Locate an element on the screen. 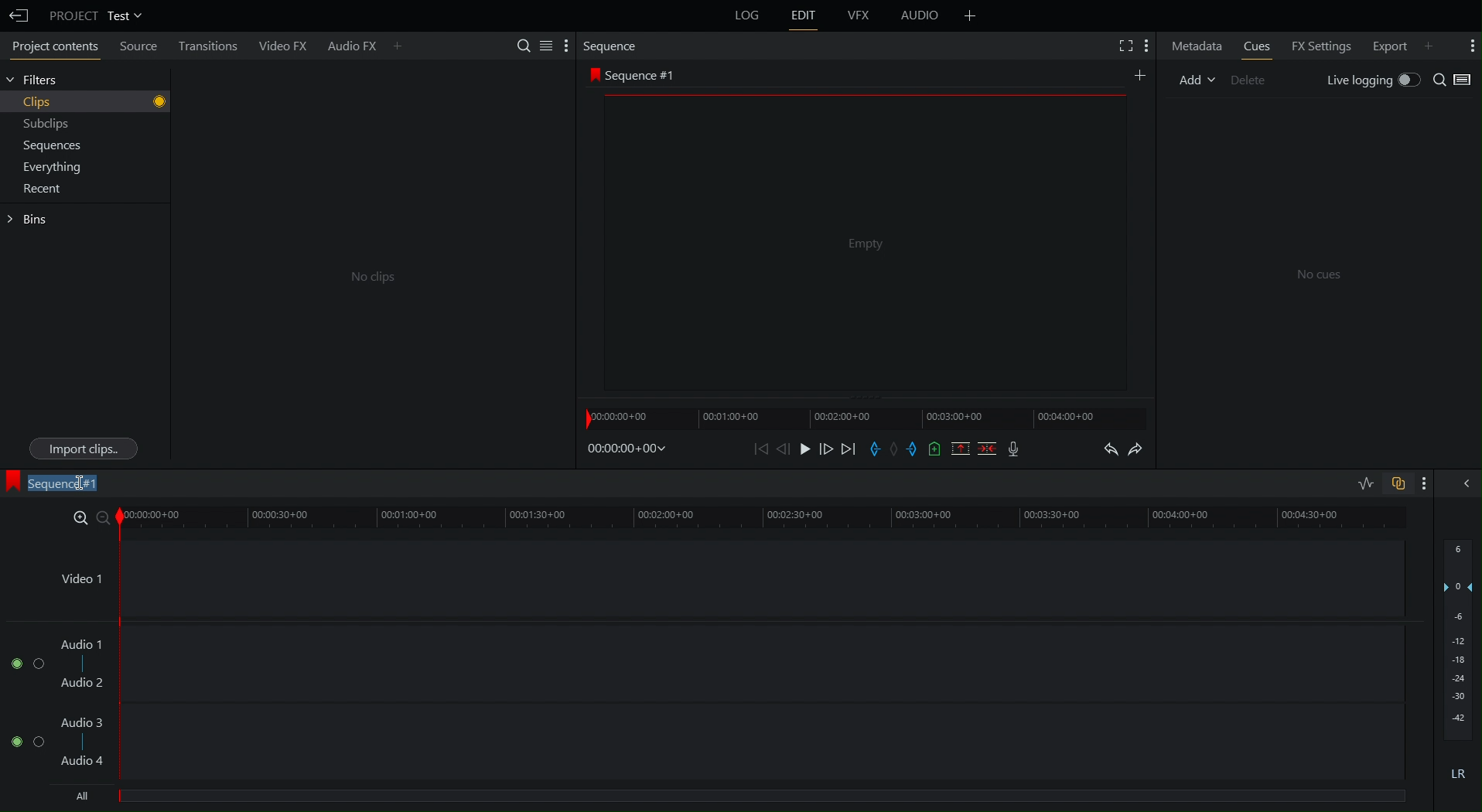  Audio FX is located at coordinates (364, 43).